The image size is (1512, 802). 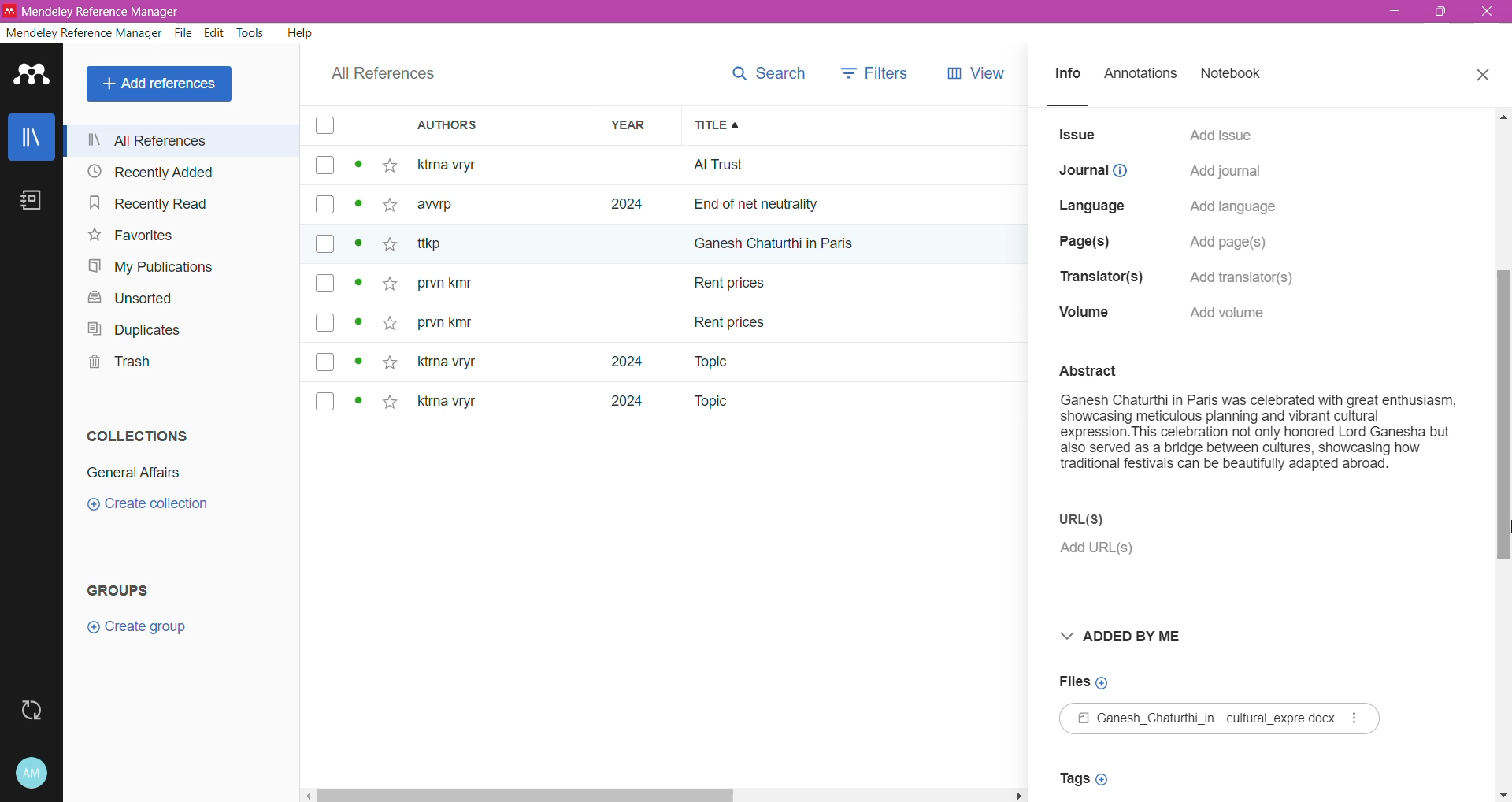 What do you see at coordinates (31, 76) in the screenshot?
I see `Application Logo` at bounding box center [31, 76].